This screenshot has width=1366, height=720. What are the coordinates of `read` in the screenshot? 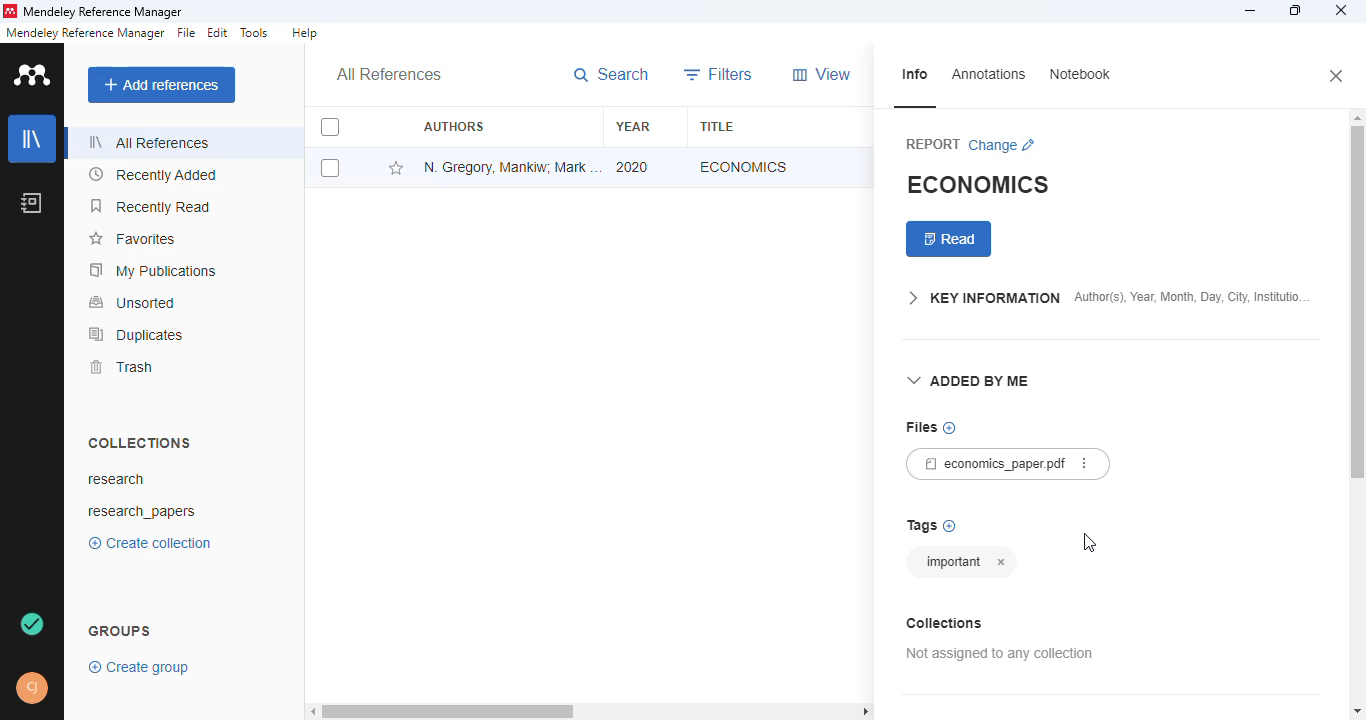 It's located at (949, 239).